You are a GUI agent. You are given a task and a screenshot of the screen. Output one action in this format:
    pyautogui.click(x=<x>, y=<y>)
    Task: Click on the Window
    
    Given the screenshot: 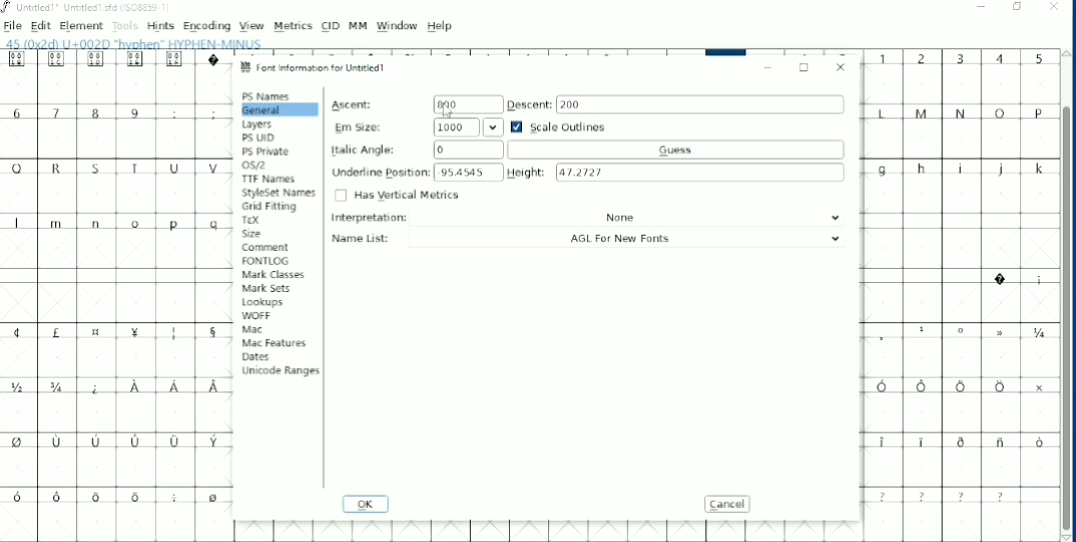 What is the action you would take?
    pyautogui.click(x=397, y=26)
    